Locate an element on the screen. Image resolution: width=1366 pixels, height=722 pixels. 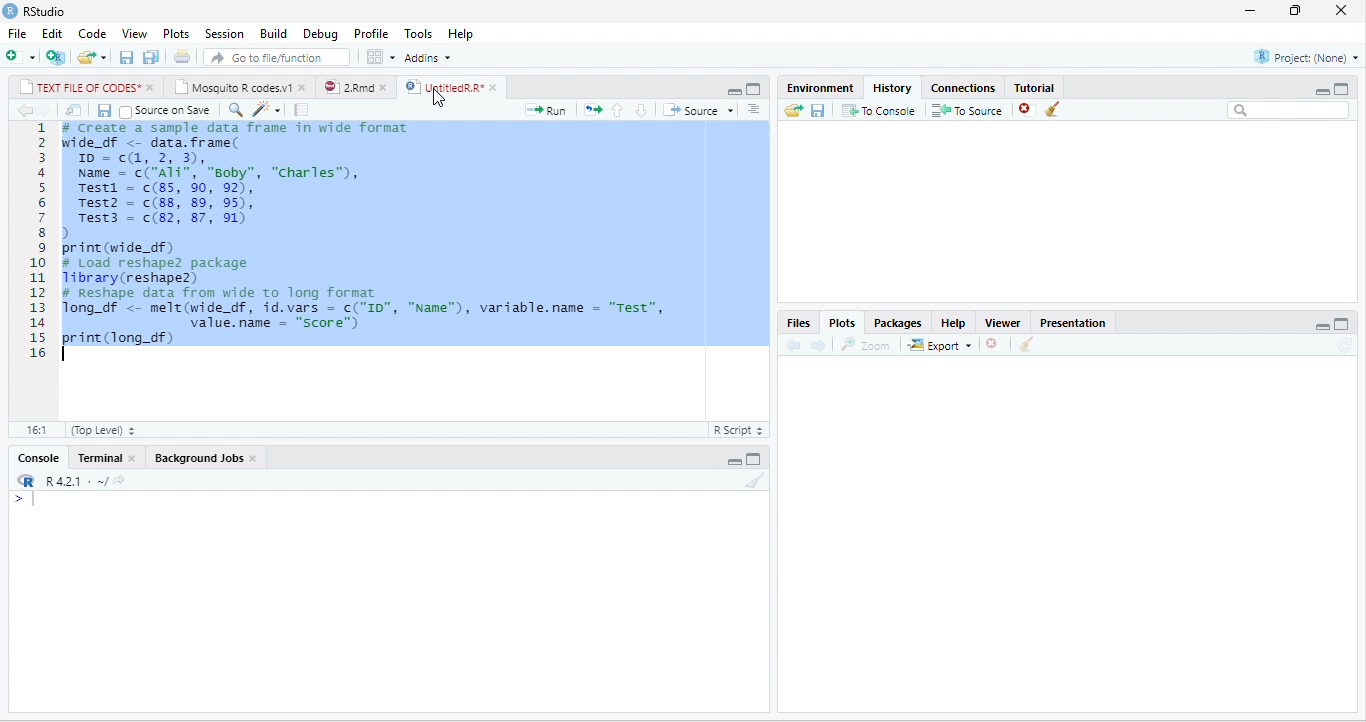
TEXT FILE OF CODES is located at coordinates (79, 86).